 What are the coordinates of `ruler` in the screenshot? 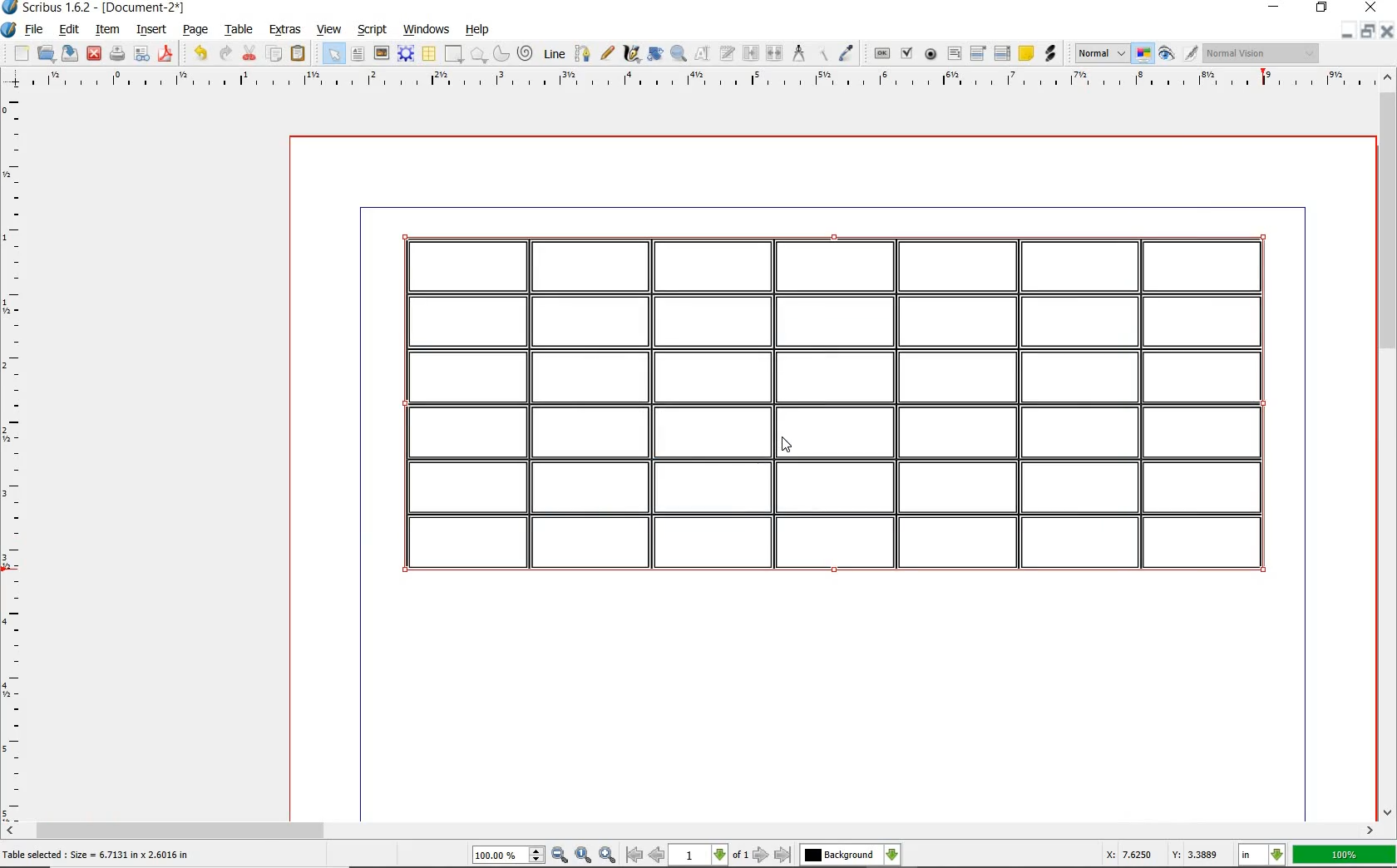 It's located at (15, 458).